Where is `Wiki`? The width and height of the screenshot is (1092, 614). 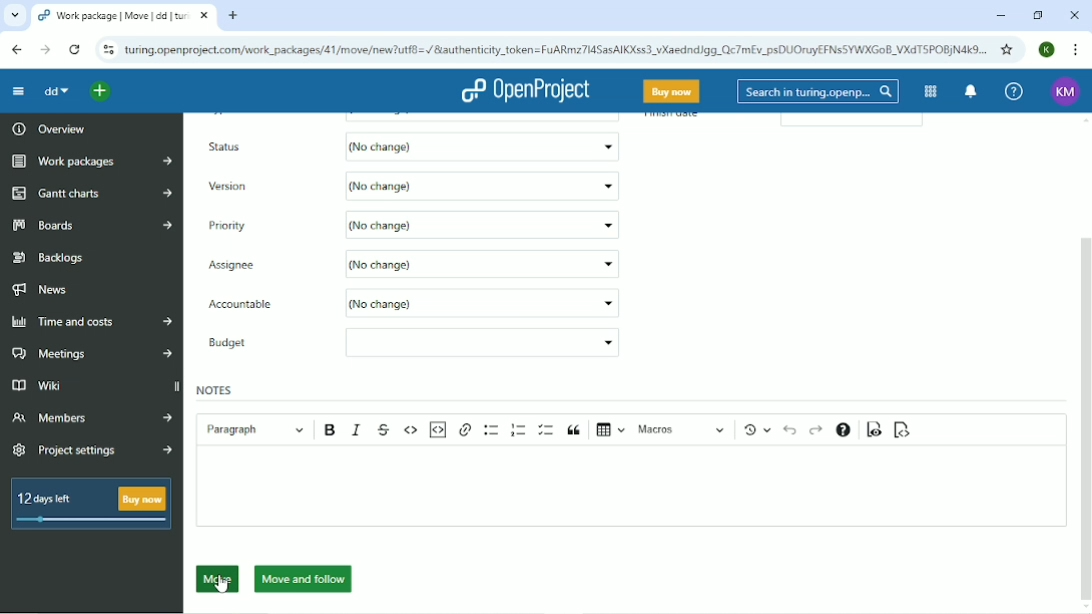 Wiki is located at coordinates (62, 385).